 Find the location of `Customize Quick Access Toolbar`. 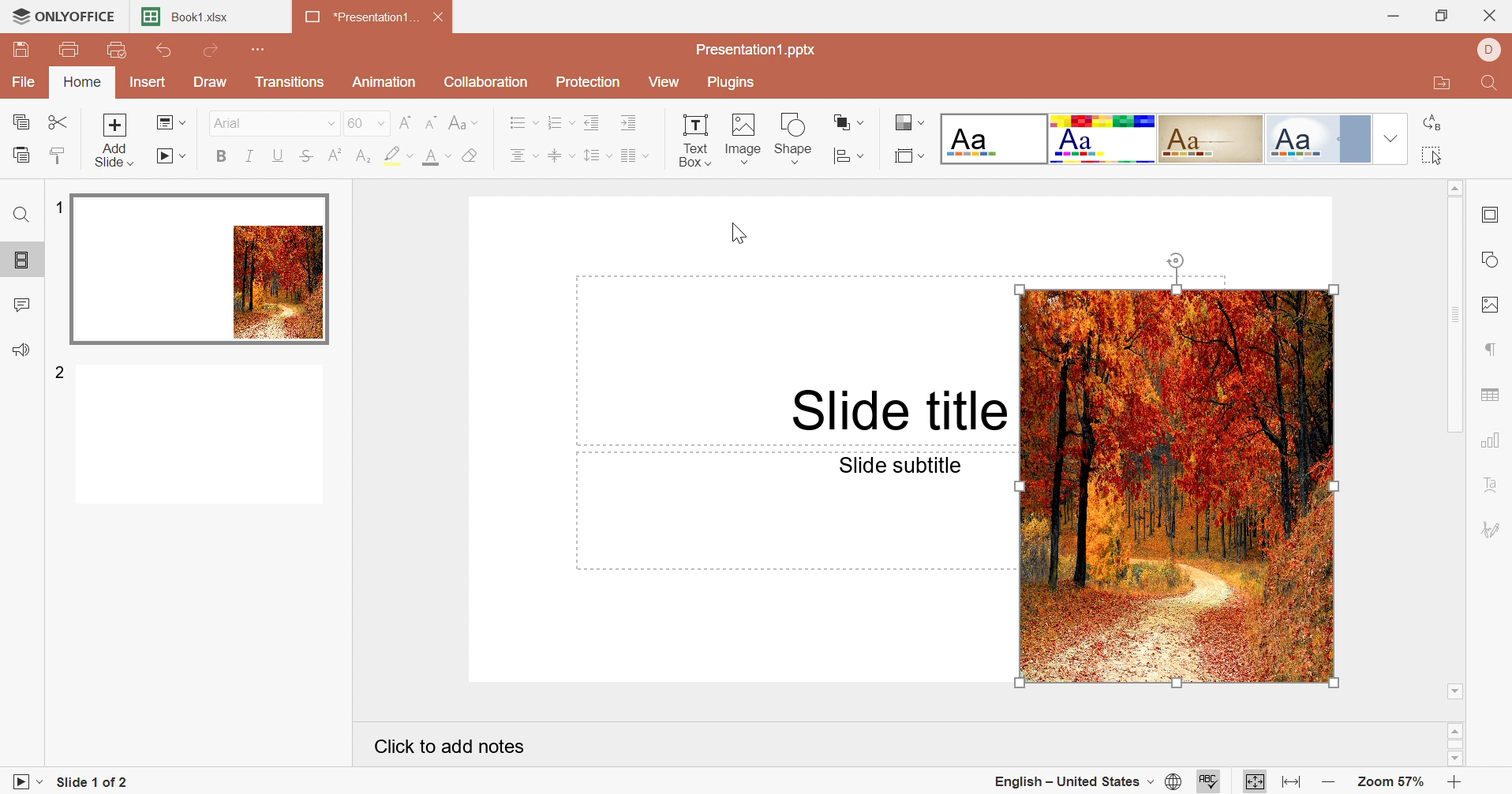

Customize Quick Access Toolbar is located at coordinates (254, 49).